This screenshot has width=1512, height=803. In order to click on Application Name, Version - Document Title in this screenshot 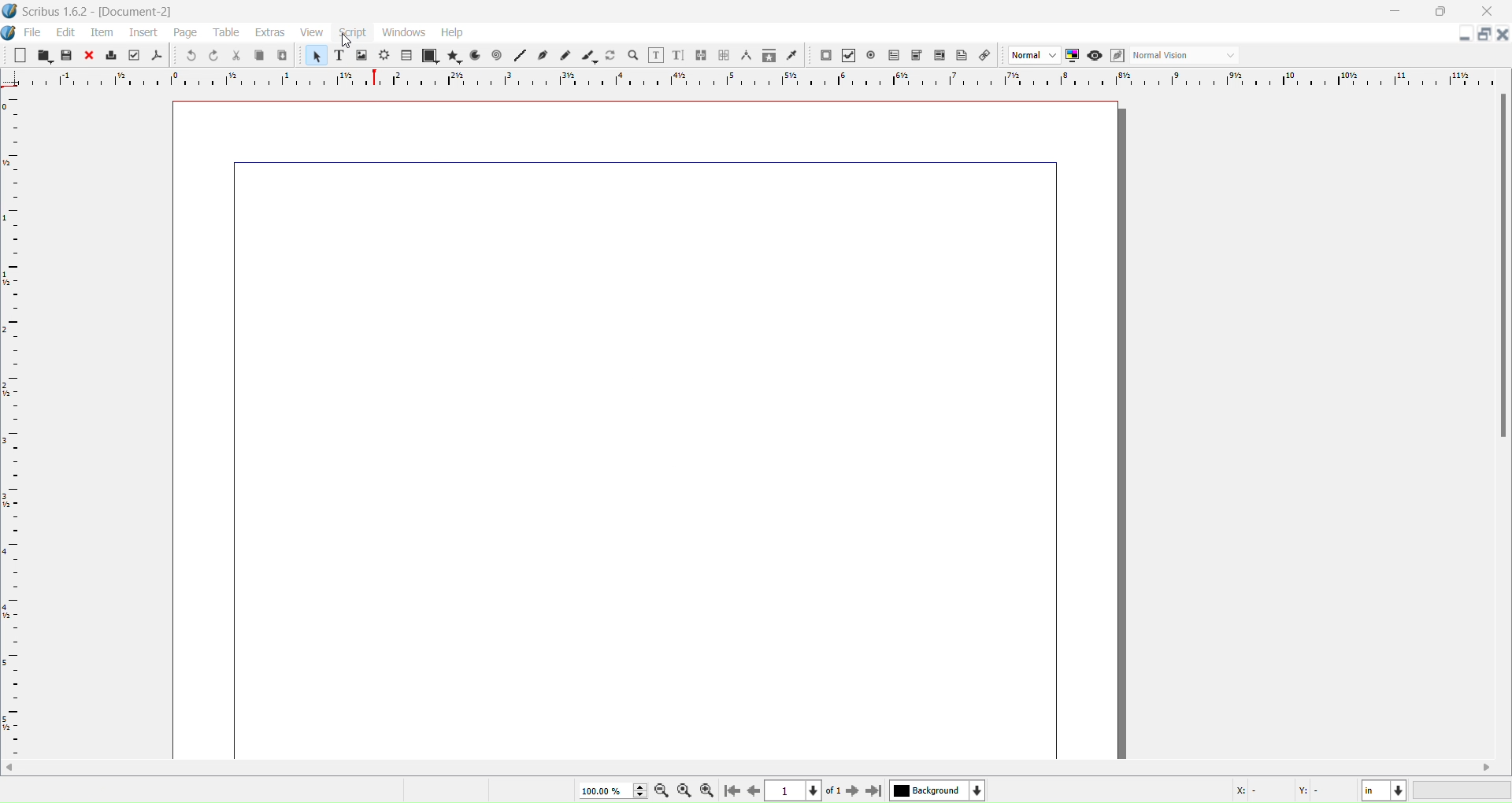, I will do `click(106, 10)`.